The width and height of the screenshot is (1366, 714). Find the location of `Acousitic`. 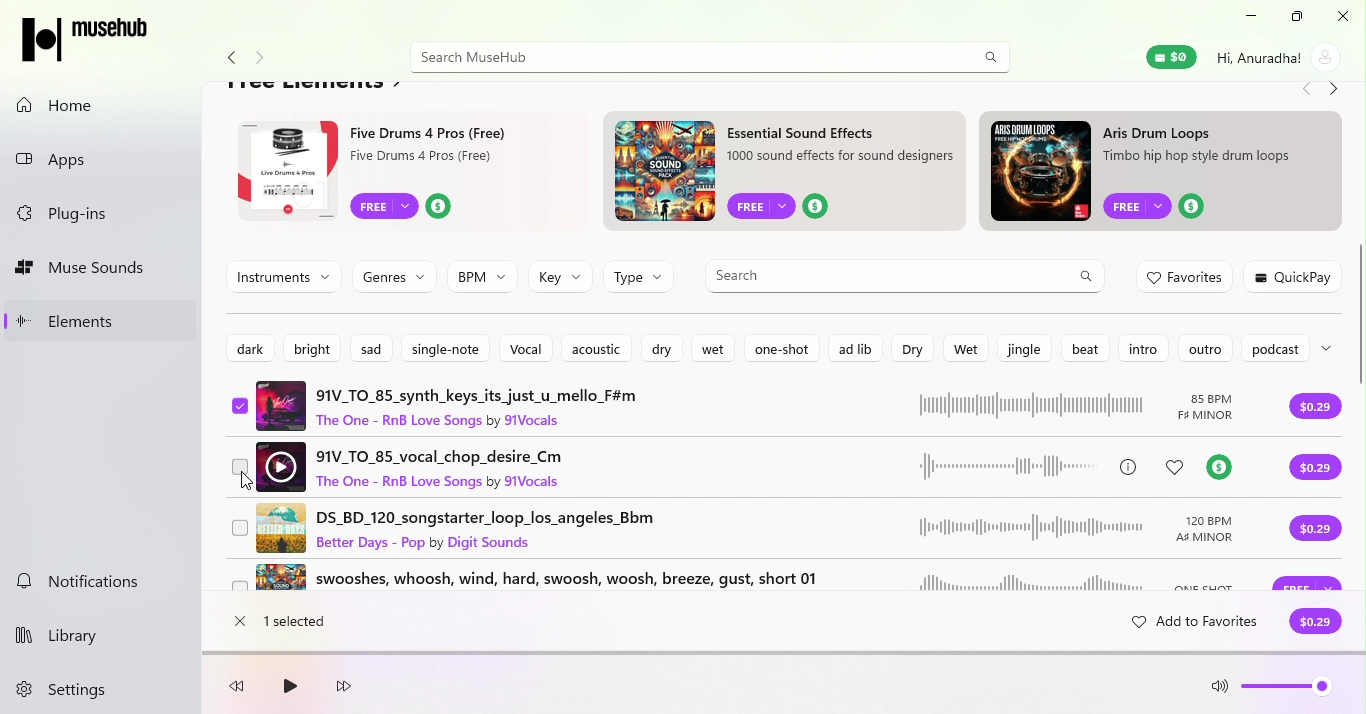

Acousitic is located at coordinates (595, 349).